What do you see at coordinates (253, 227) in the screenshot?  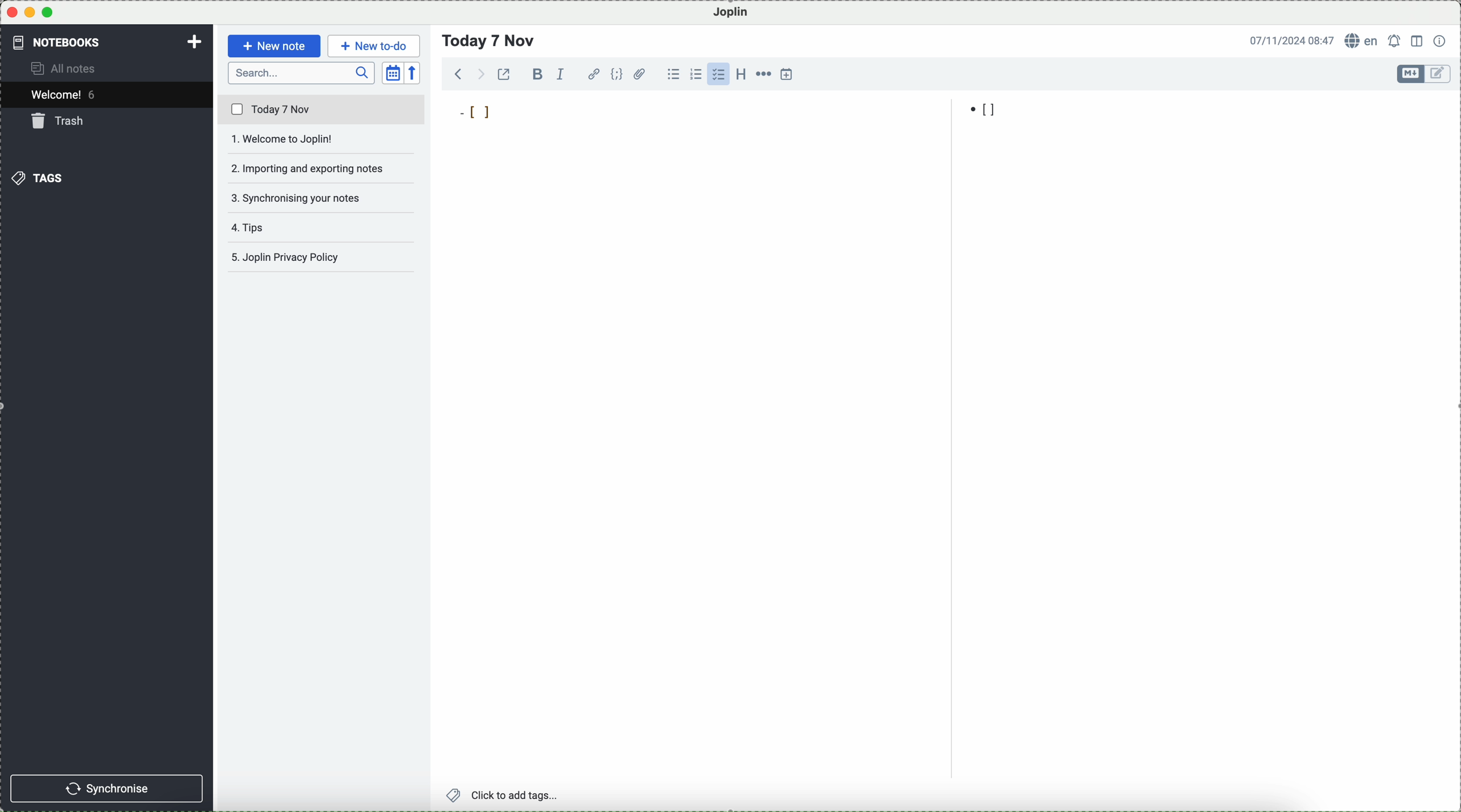 I see `tips` at bounding box center [253, 227].